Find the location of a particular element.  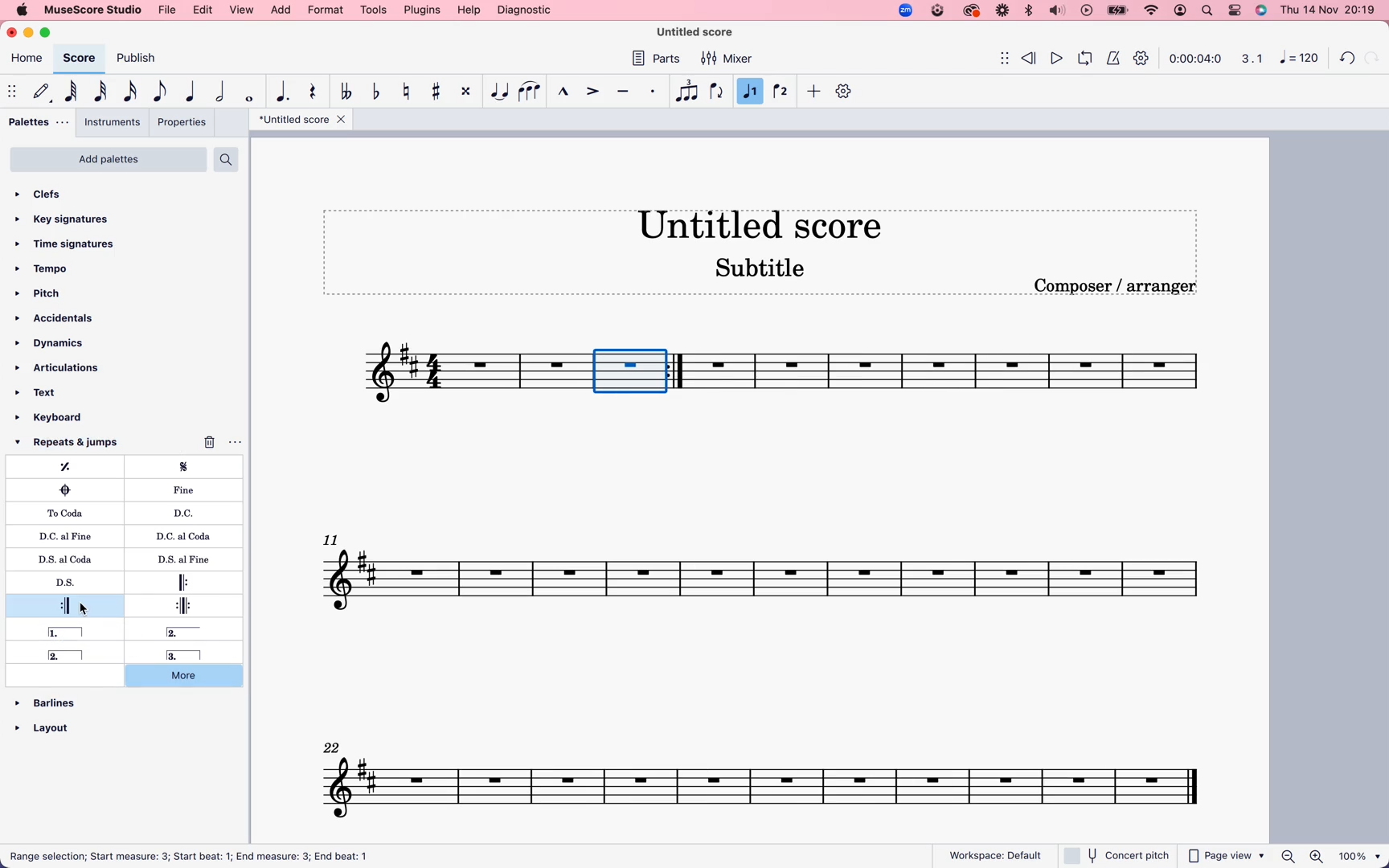

right and left repeat sign is located at coordinates (178, 605).